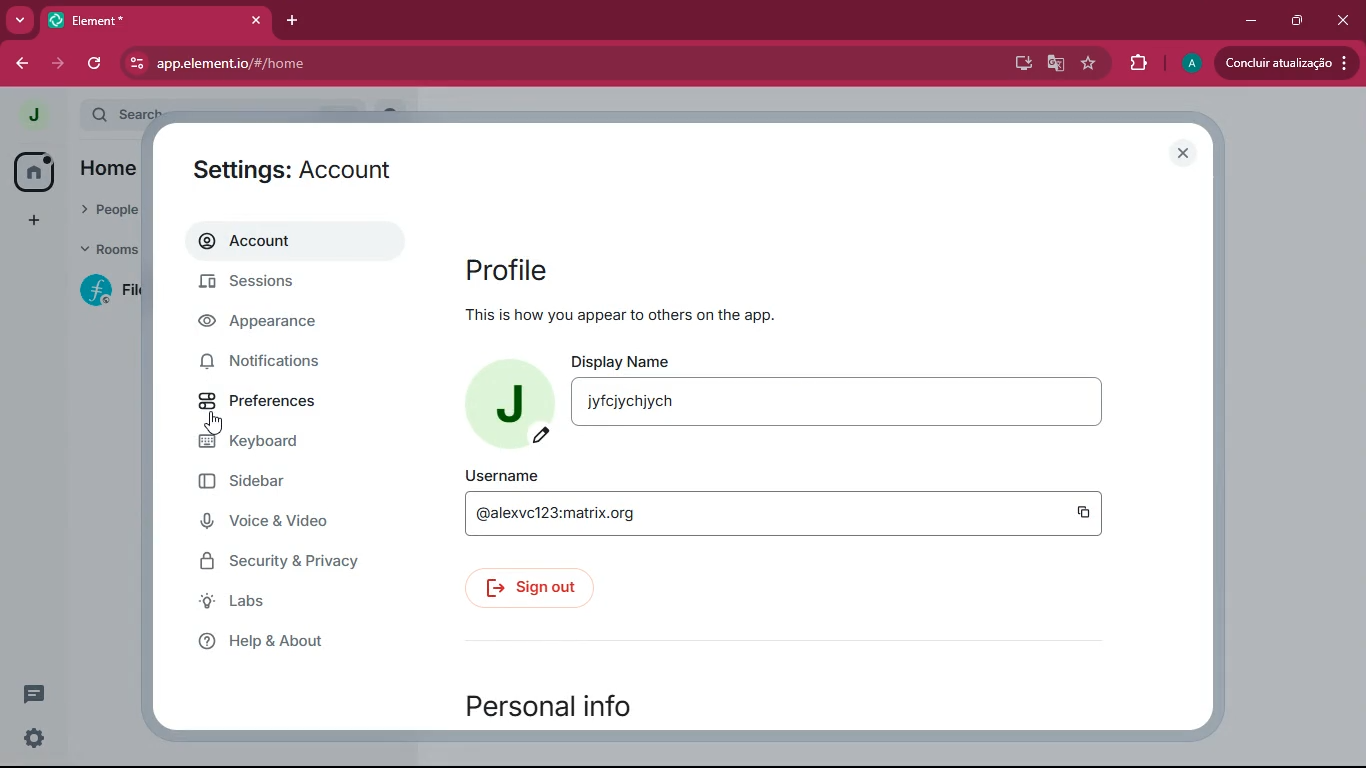 The width and height of the screenshot is (1366, 768). What do you see at coordinates (410, 64) in the screenshot?
I see `app.element.io/#/home` at bounding box center [410, 64].